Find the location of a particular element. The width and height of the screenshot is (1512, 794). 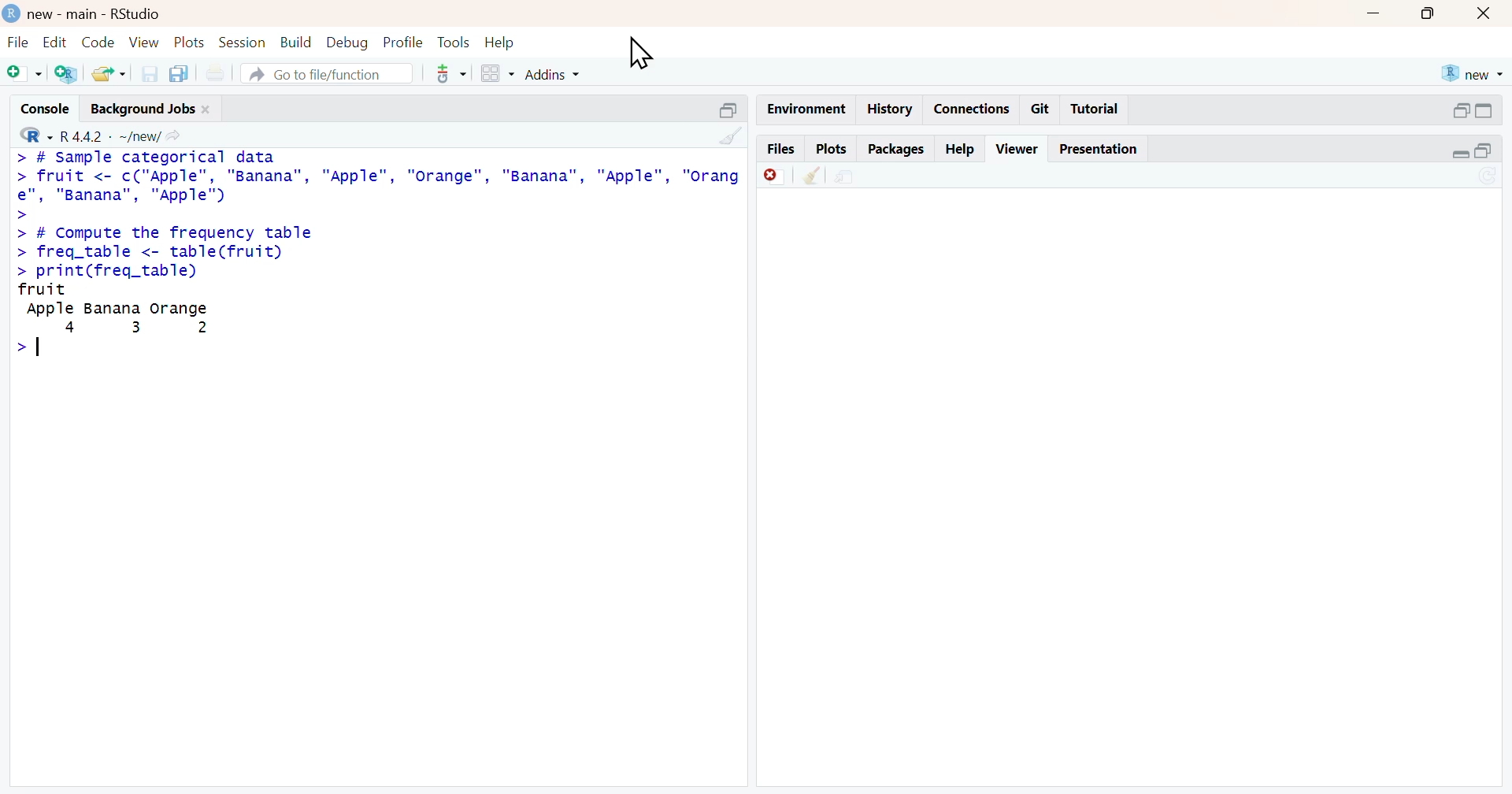

clear all viewer item is located at coordinates (813, 177).